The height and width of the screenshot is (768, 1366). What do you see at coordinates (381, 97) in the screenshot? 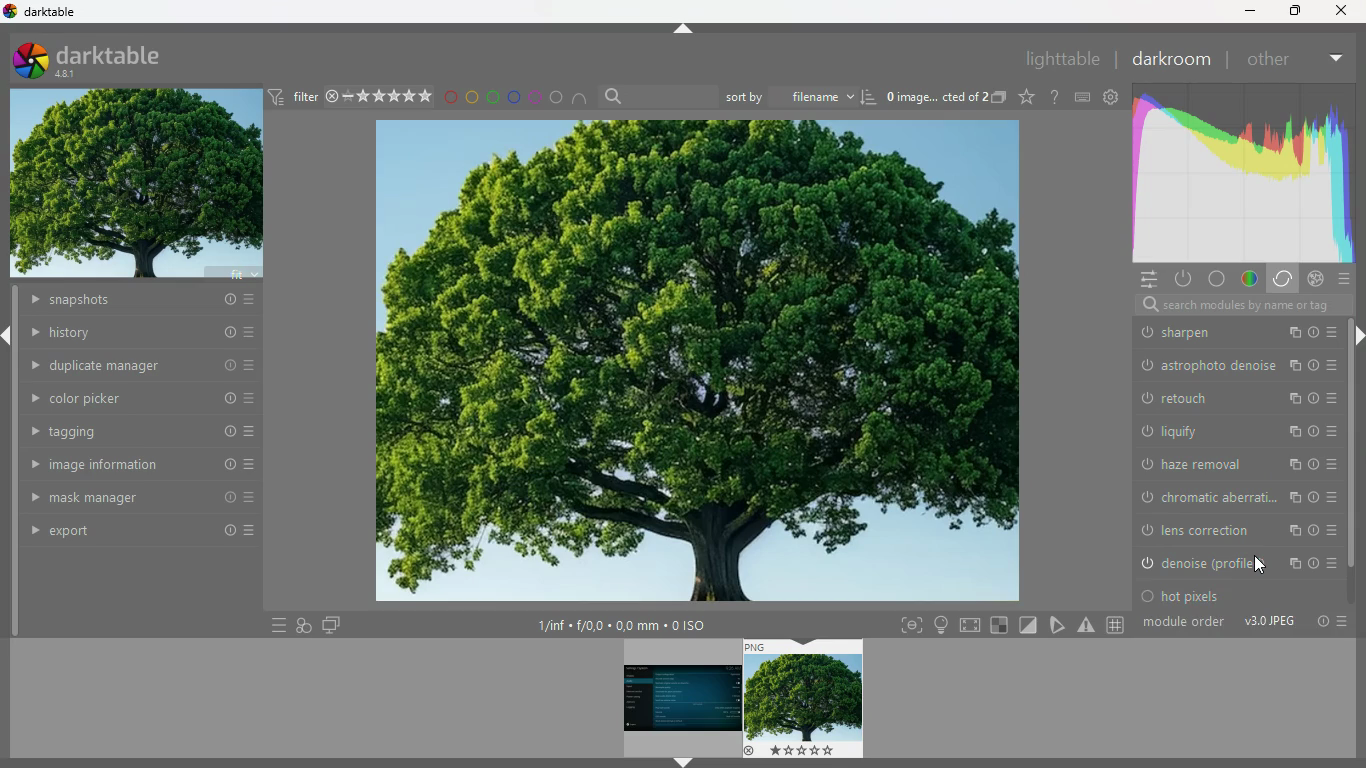
I see `rating` at bounding box center [381, 97].